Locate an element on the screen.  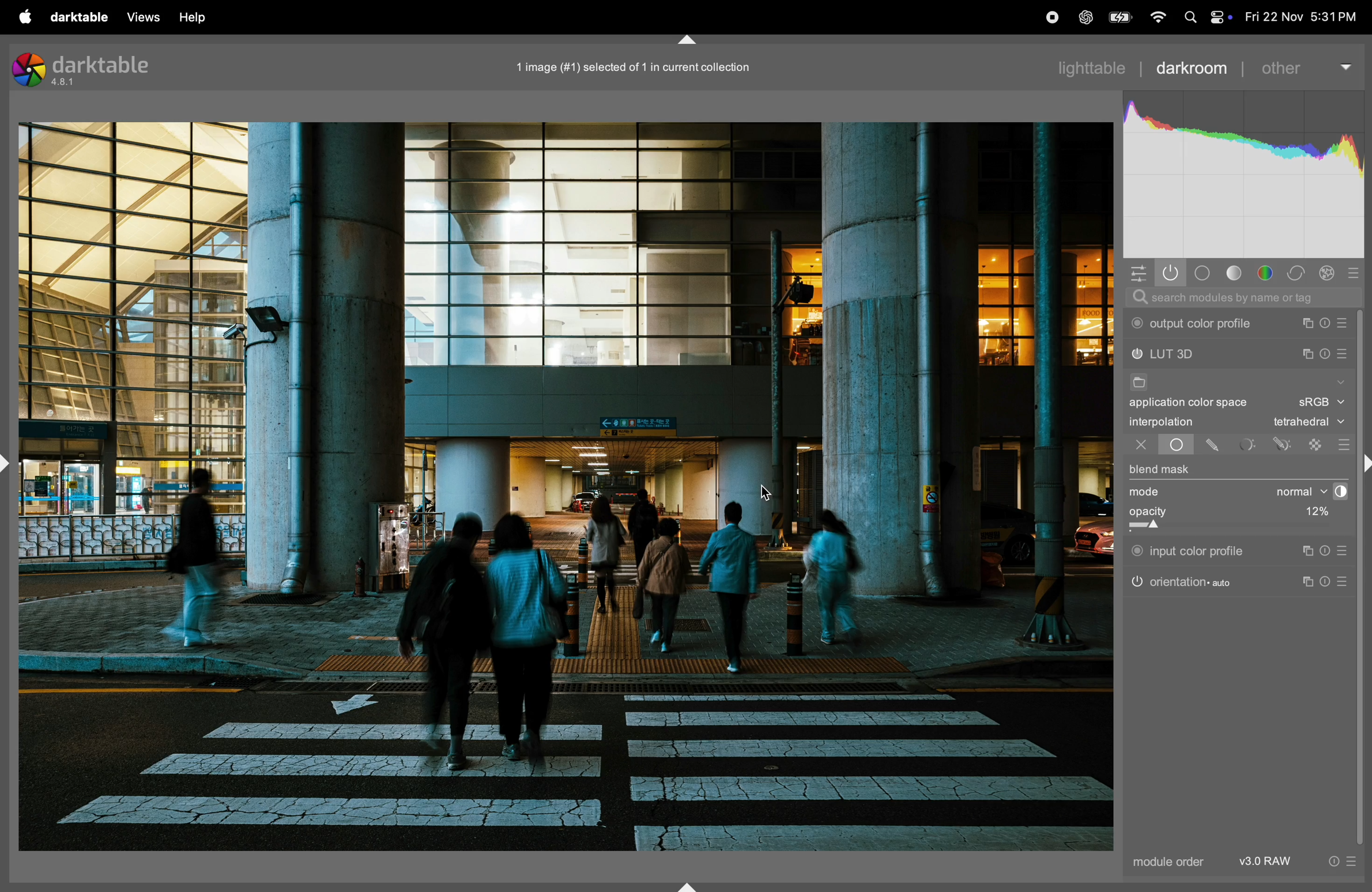
mode is located at coordinates (1148, 493).